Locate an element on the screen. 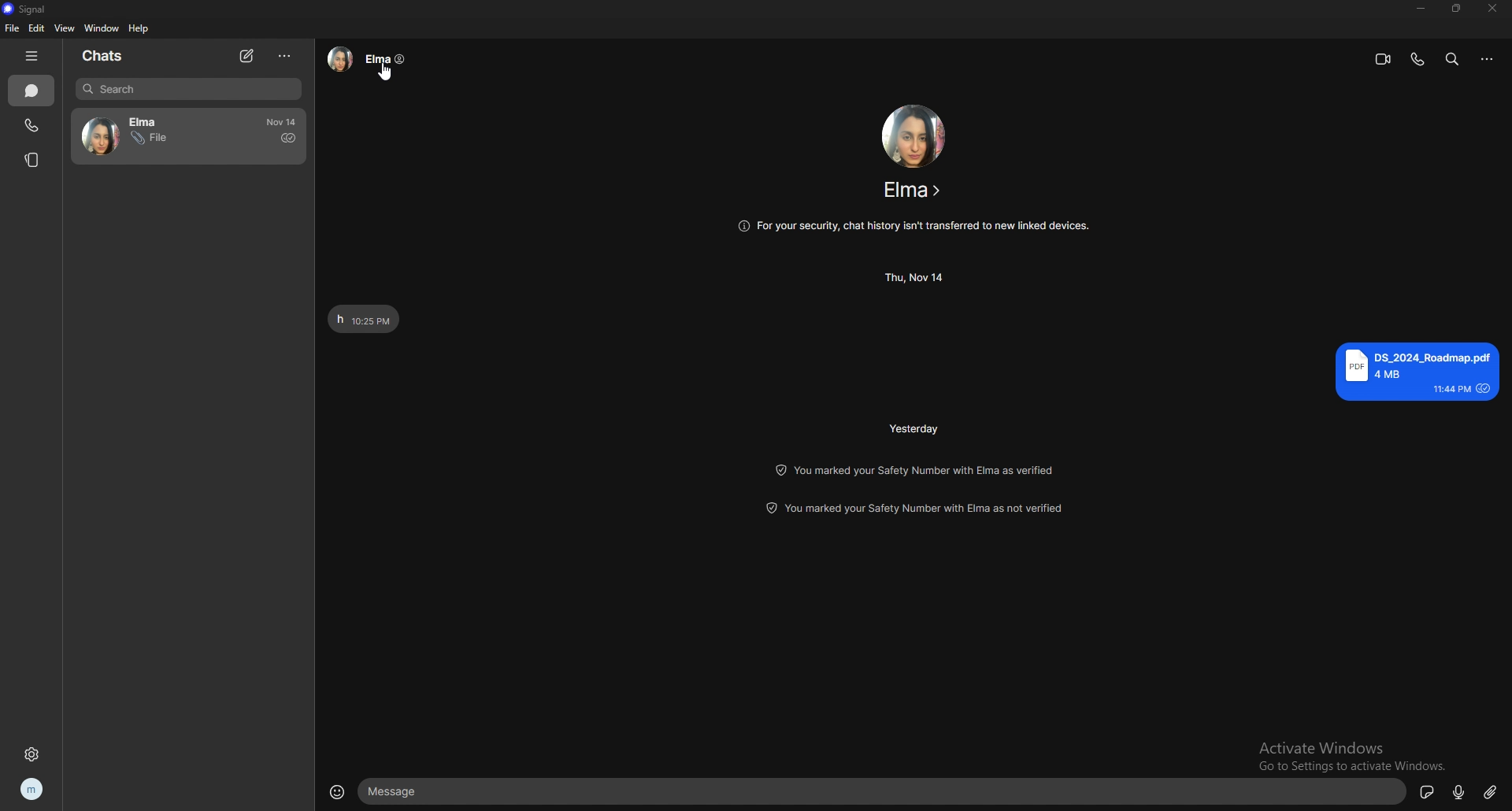 This screenshot has height=811, width=1512. new chat is located at coordinates (250, 56).